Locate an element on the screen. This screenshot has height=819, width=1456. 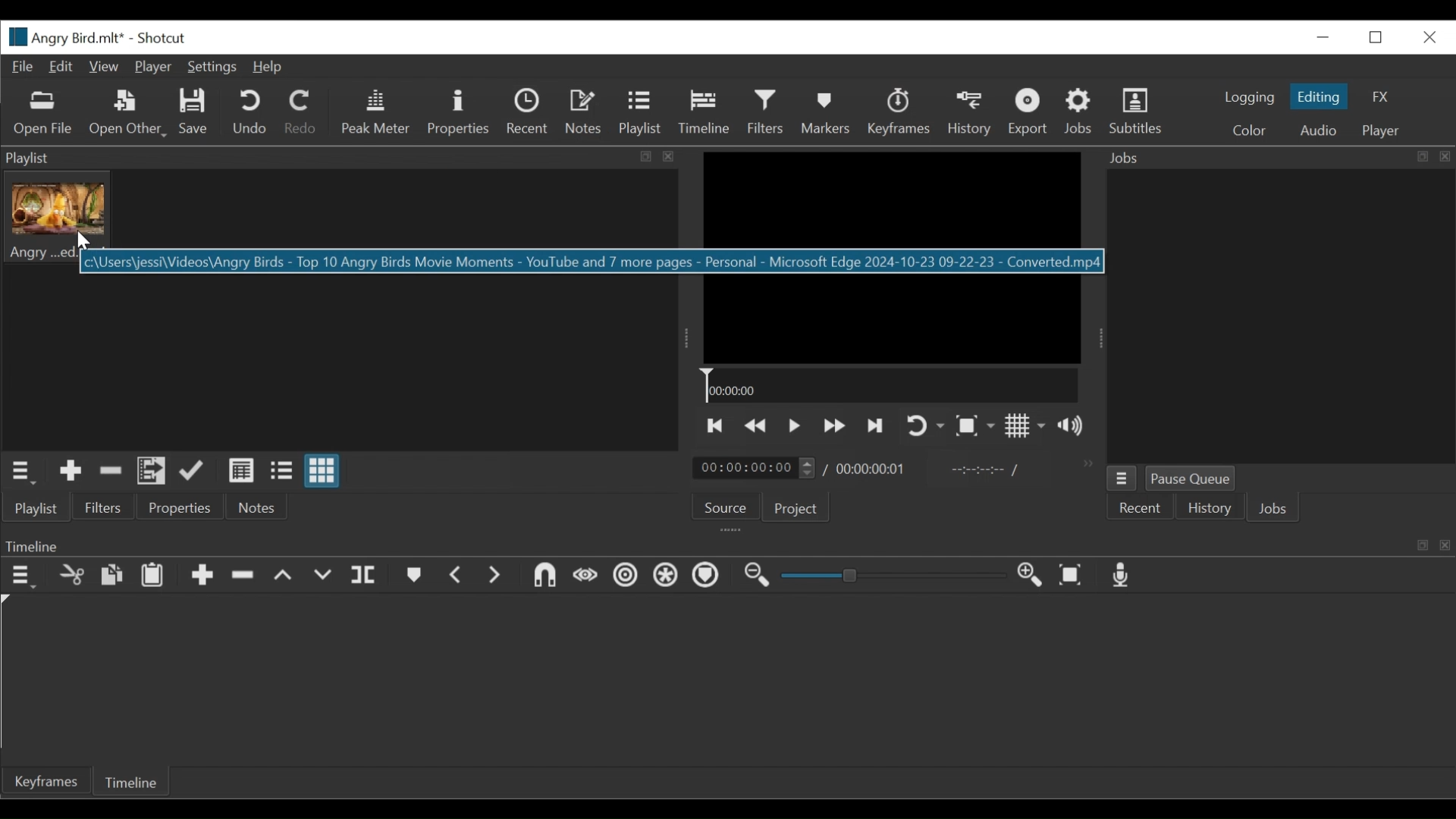
Toggle player on looping is located at coordinates (924, 427).